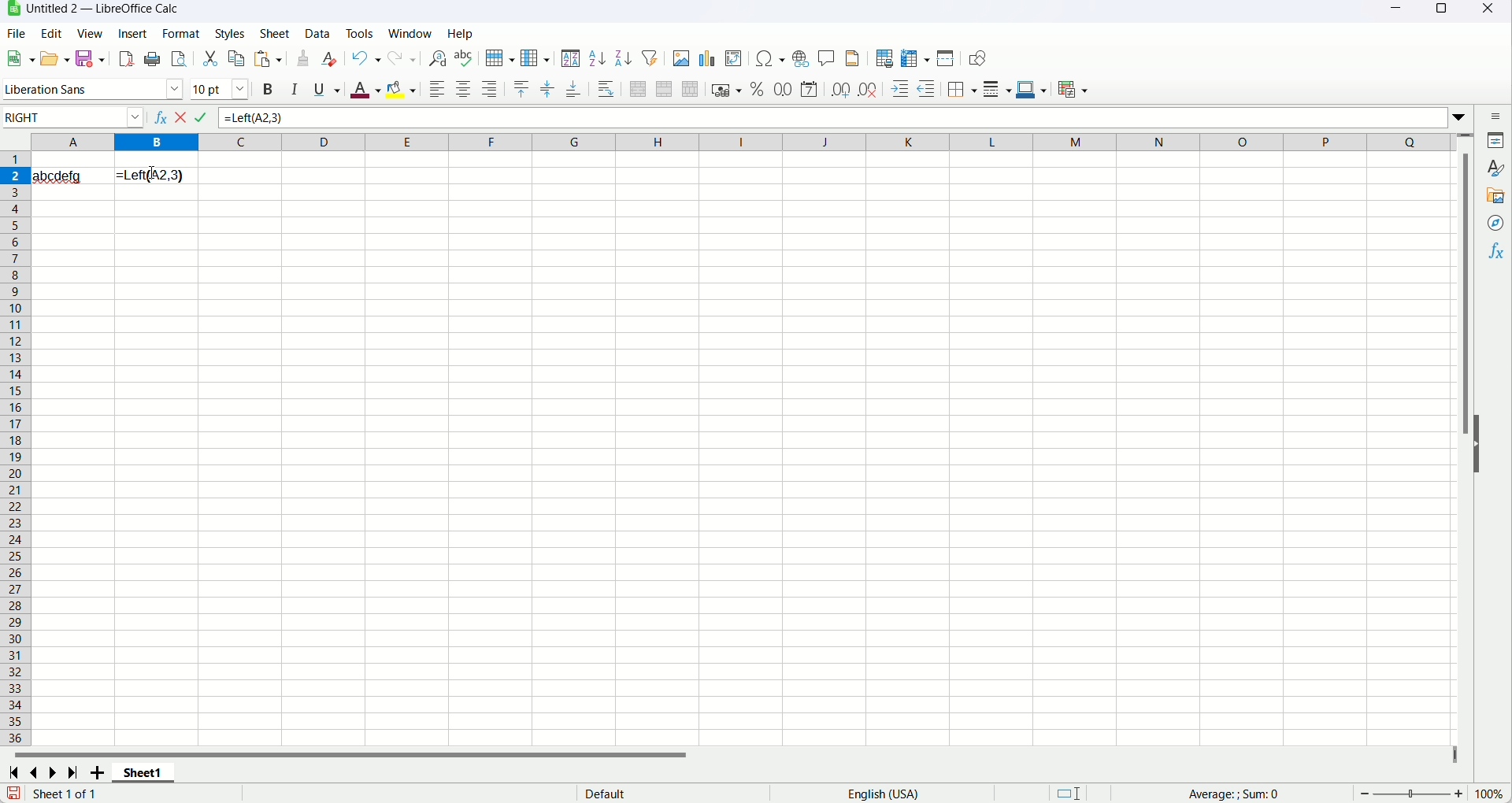  What do you see at coordinates (461, 33) in the screenshot?
I see `help` at bounding box center [461, 33].